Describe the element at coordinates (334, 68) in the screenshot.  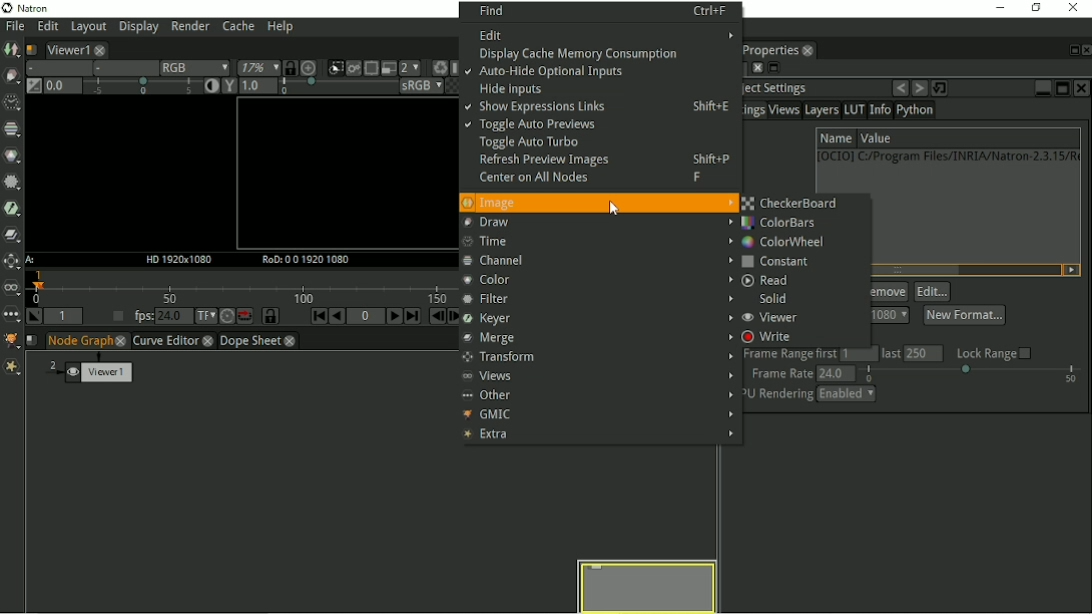
I see `Clips the portion of the image` at that location.